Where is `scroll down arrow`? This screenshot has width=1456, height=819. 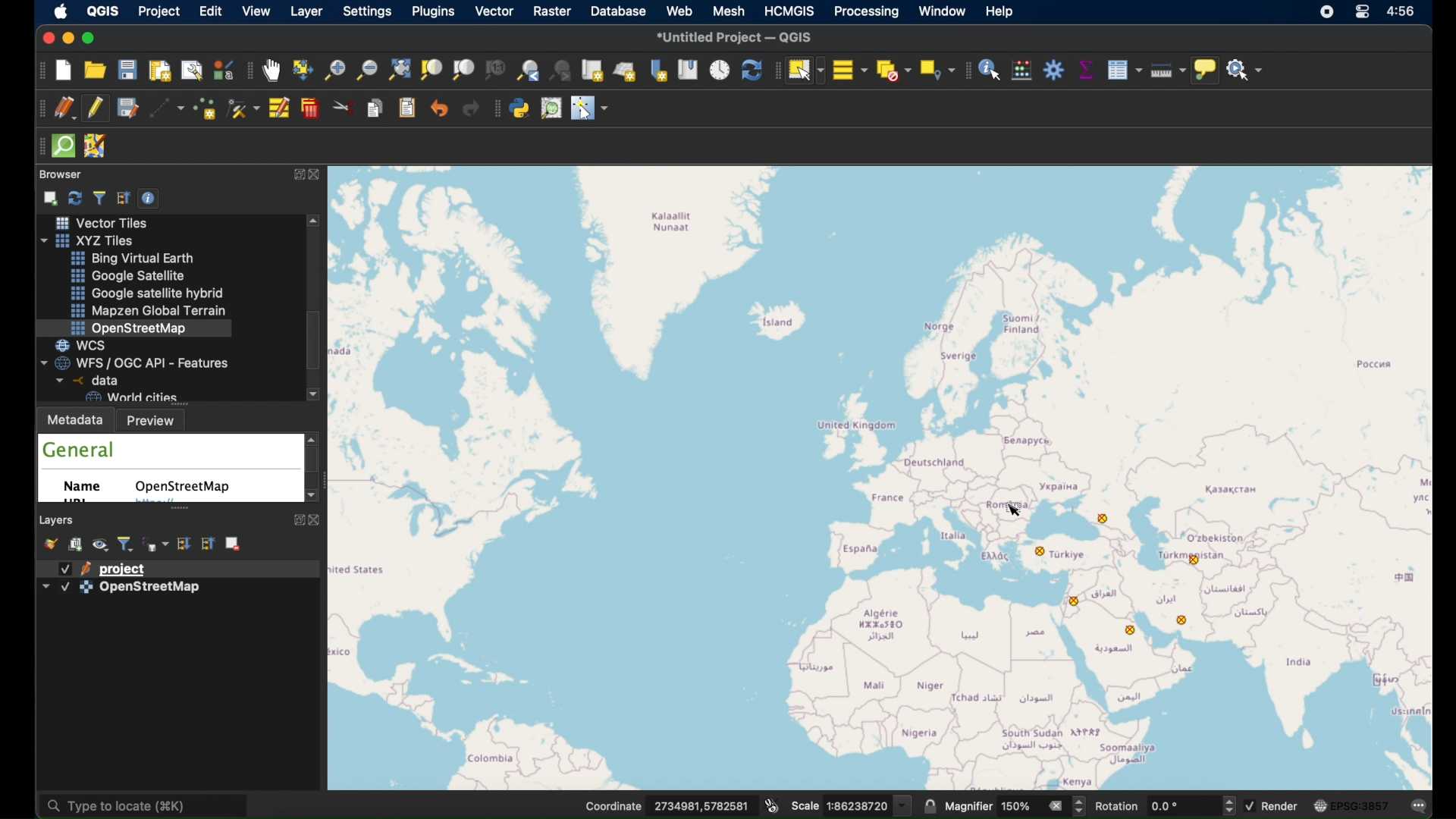
scroll down arrow is located at coordinates (309, 497).